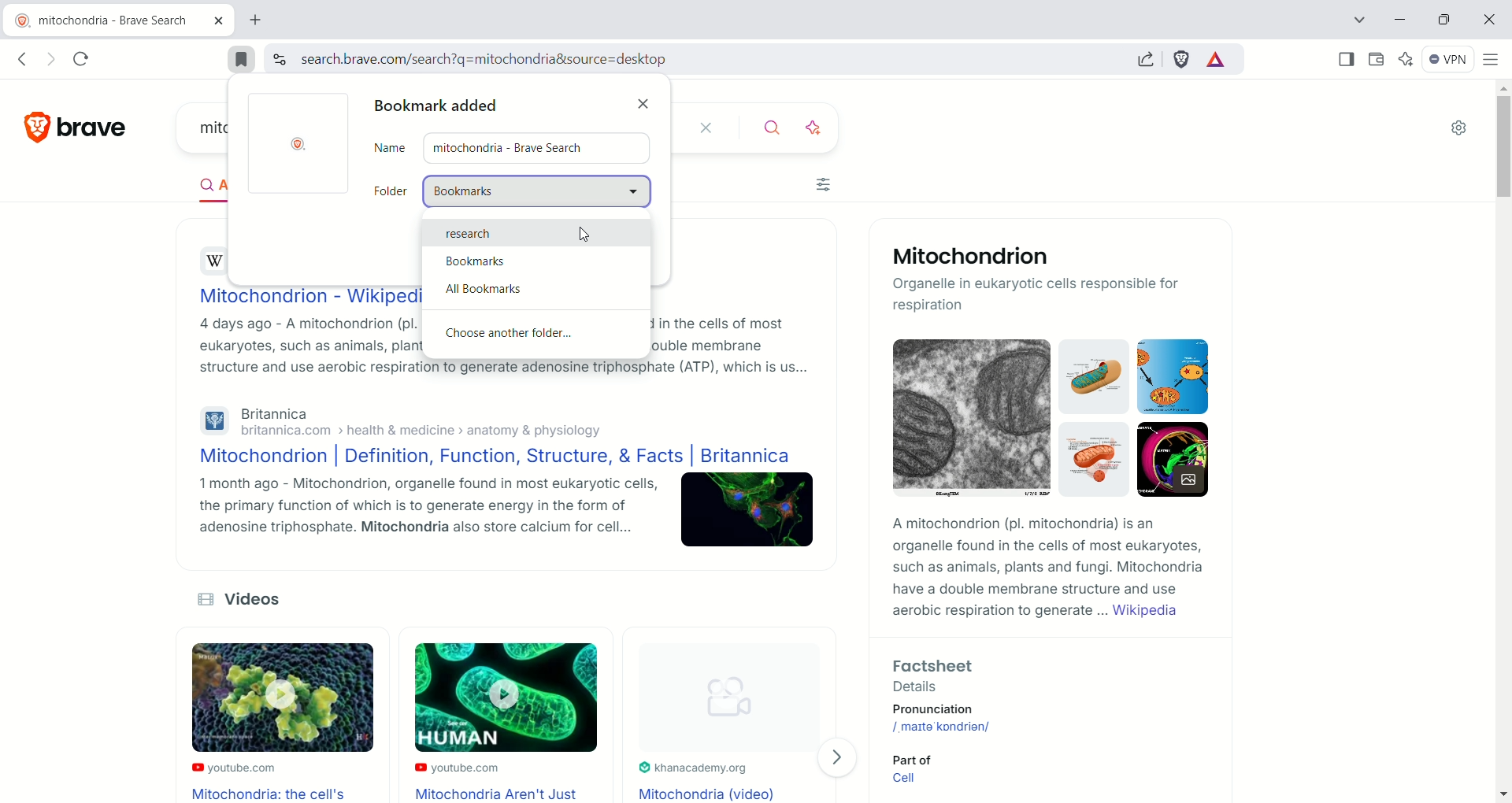 The image size is (1512, 803). I want to click on 1 month ago - Mitochondrion, organelle found in most eukaryotic cells,
the primary function of which is to generate energy in the form of
adenosine triphosphate. Mitochondria also store calcium for cell..., so click(413, 511).